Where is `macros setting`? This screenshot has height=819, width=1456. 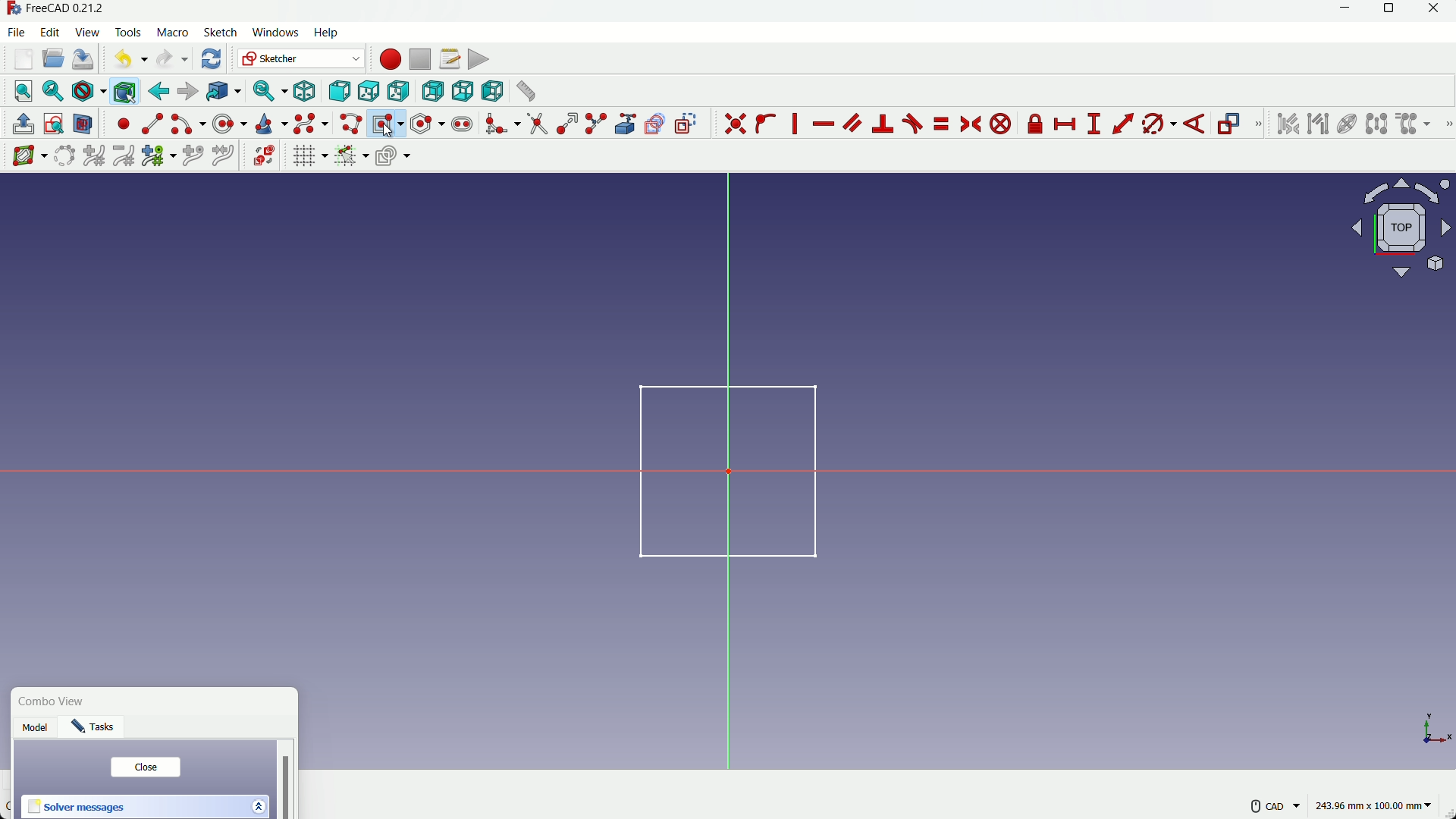
macros setting is located at coordinates (449, 59).